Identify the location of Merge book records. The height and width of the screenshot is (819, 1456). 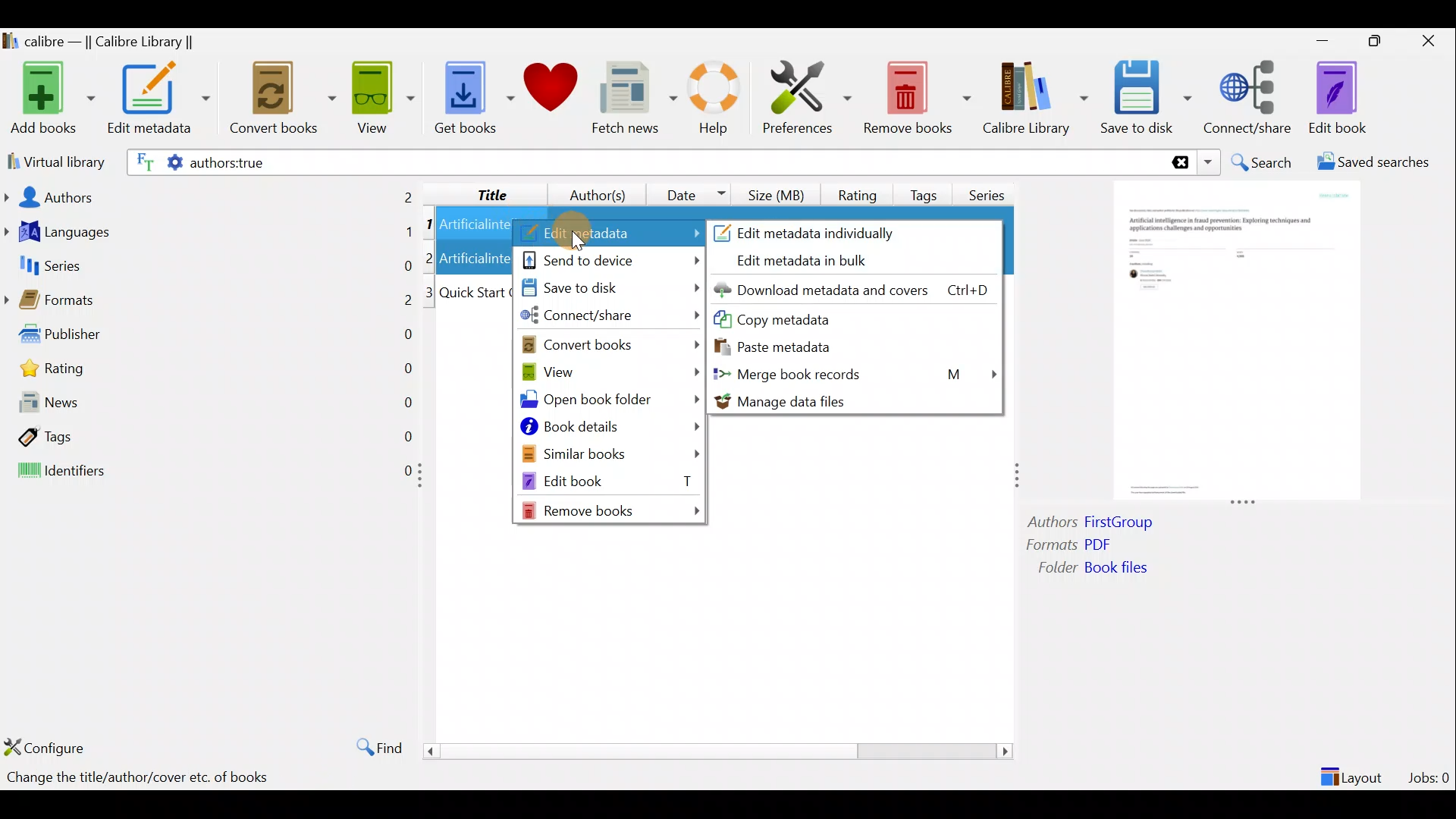
(857, 373).